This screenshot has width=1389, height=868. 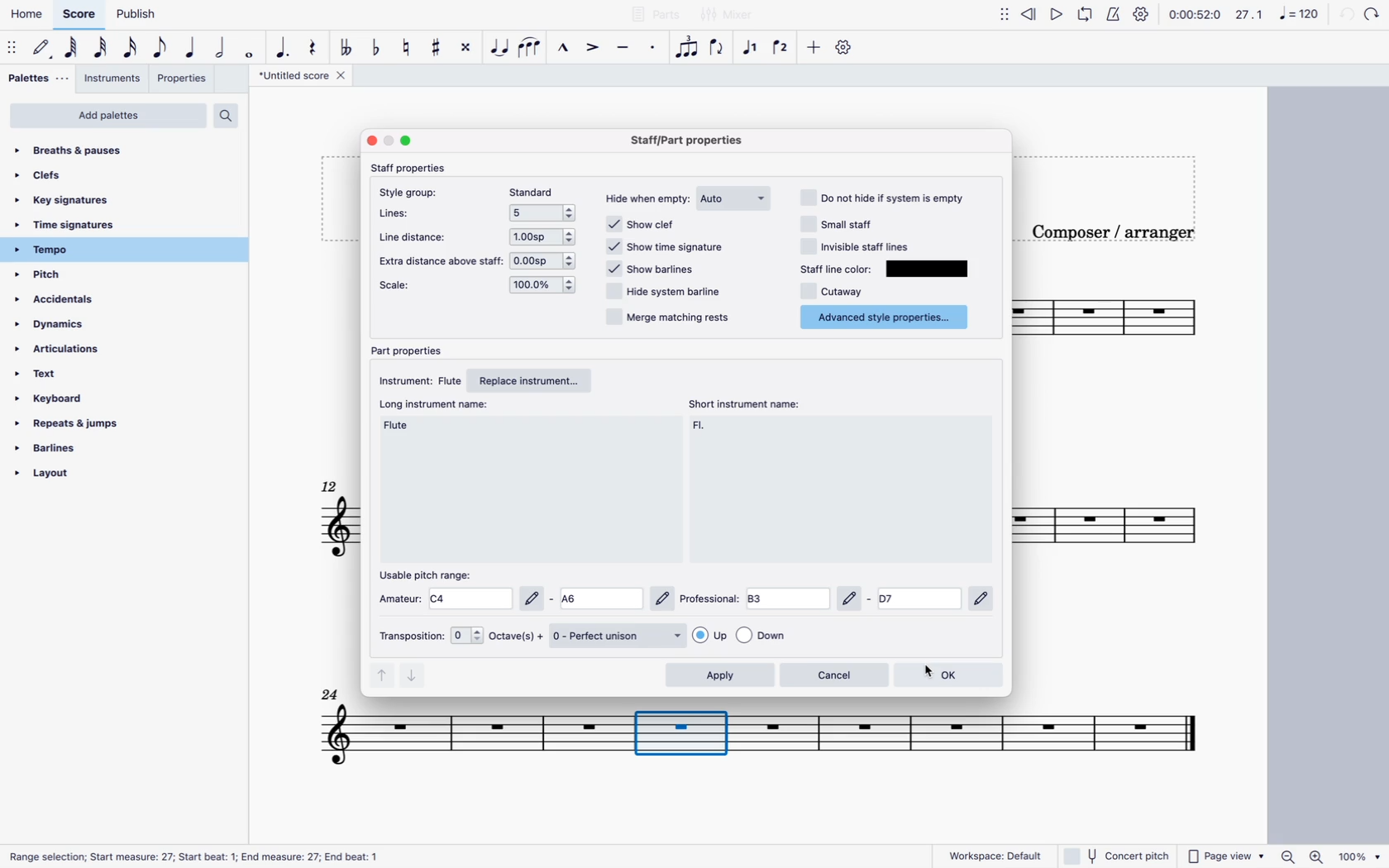 I want to click on close, so click(x=369, y=141).